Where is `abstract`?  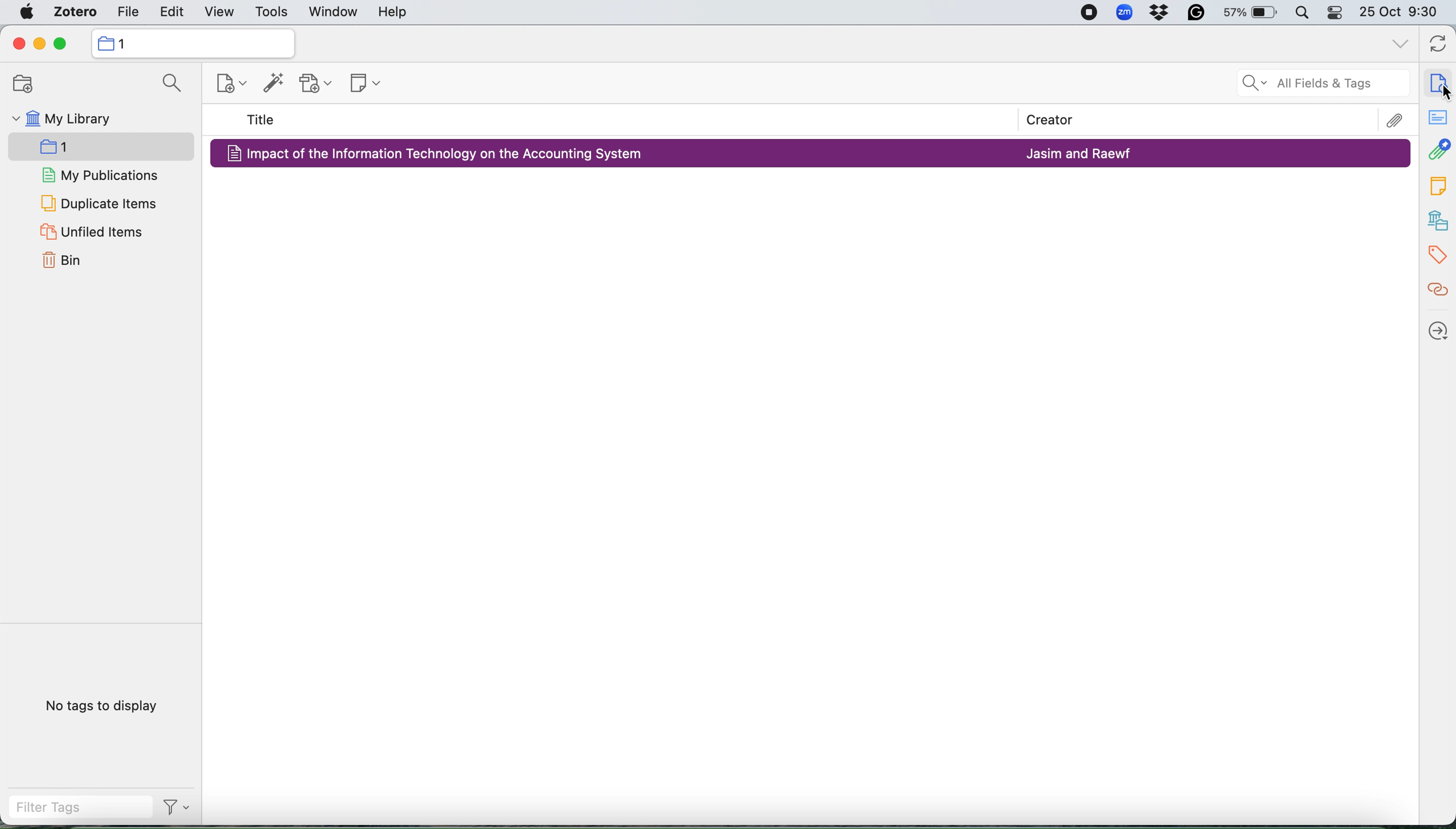
abstract is located at coordinates (1436, 119).